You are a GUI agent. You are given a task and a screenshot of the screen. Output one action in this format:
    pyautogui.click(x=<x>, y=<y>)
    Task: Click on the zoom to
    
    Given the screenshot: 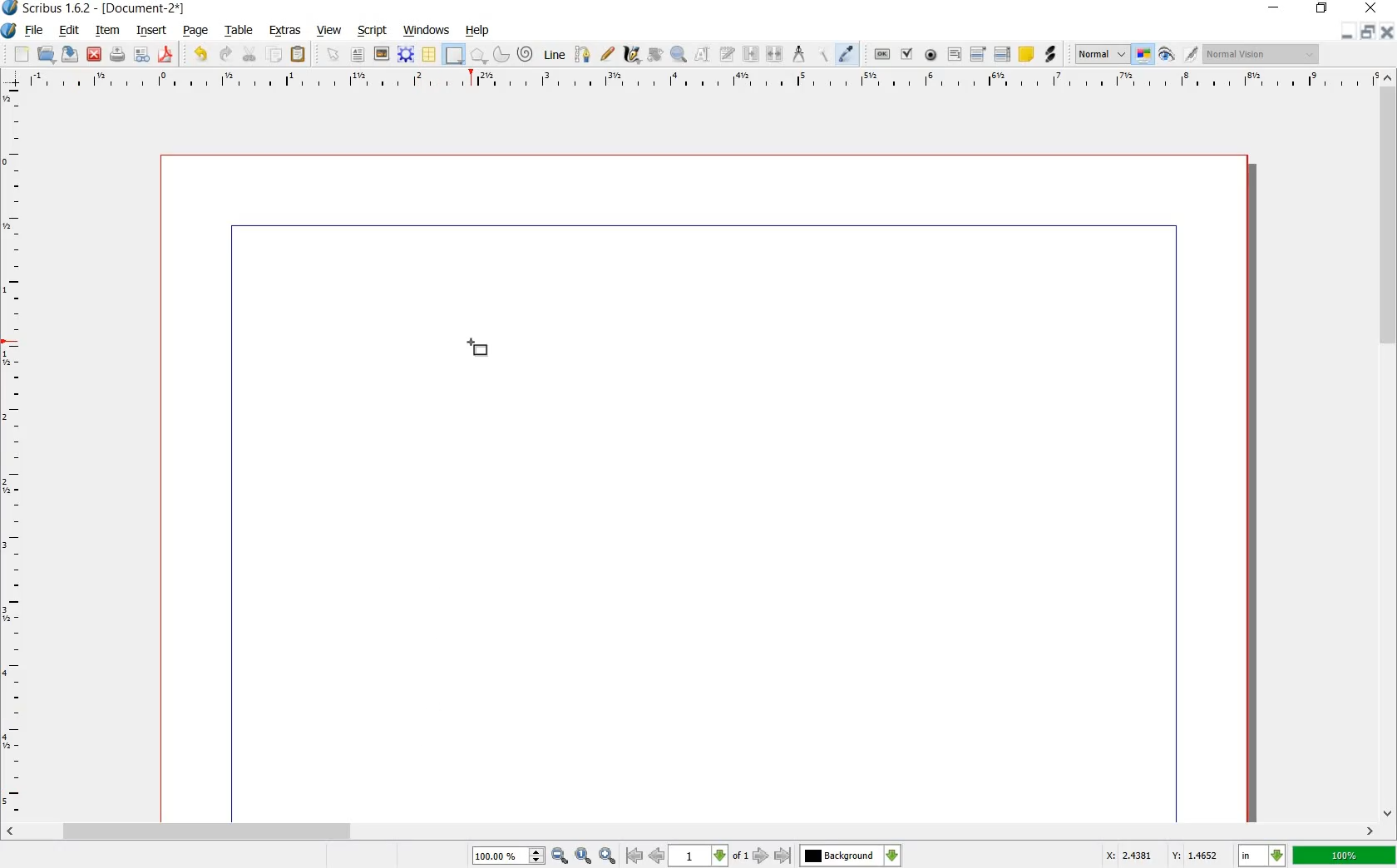 What is the action you would take?
    pyautogui.click(x=583, y=856)
    